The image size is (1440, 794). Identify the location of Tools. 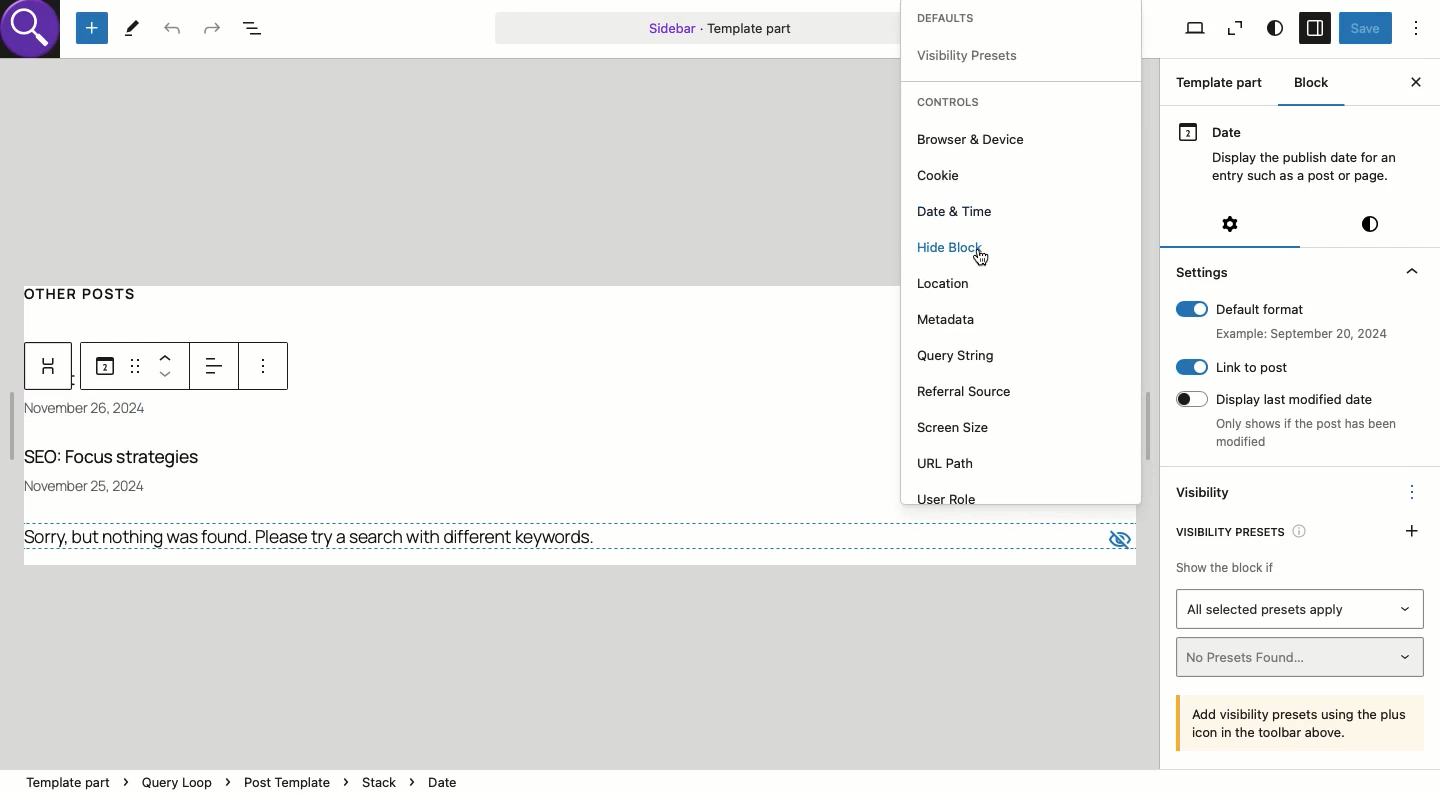
(132, 27).